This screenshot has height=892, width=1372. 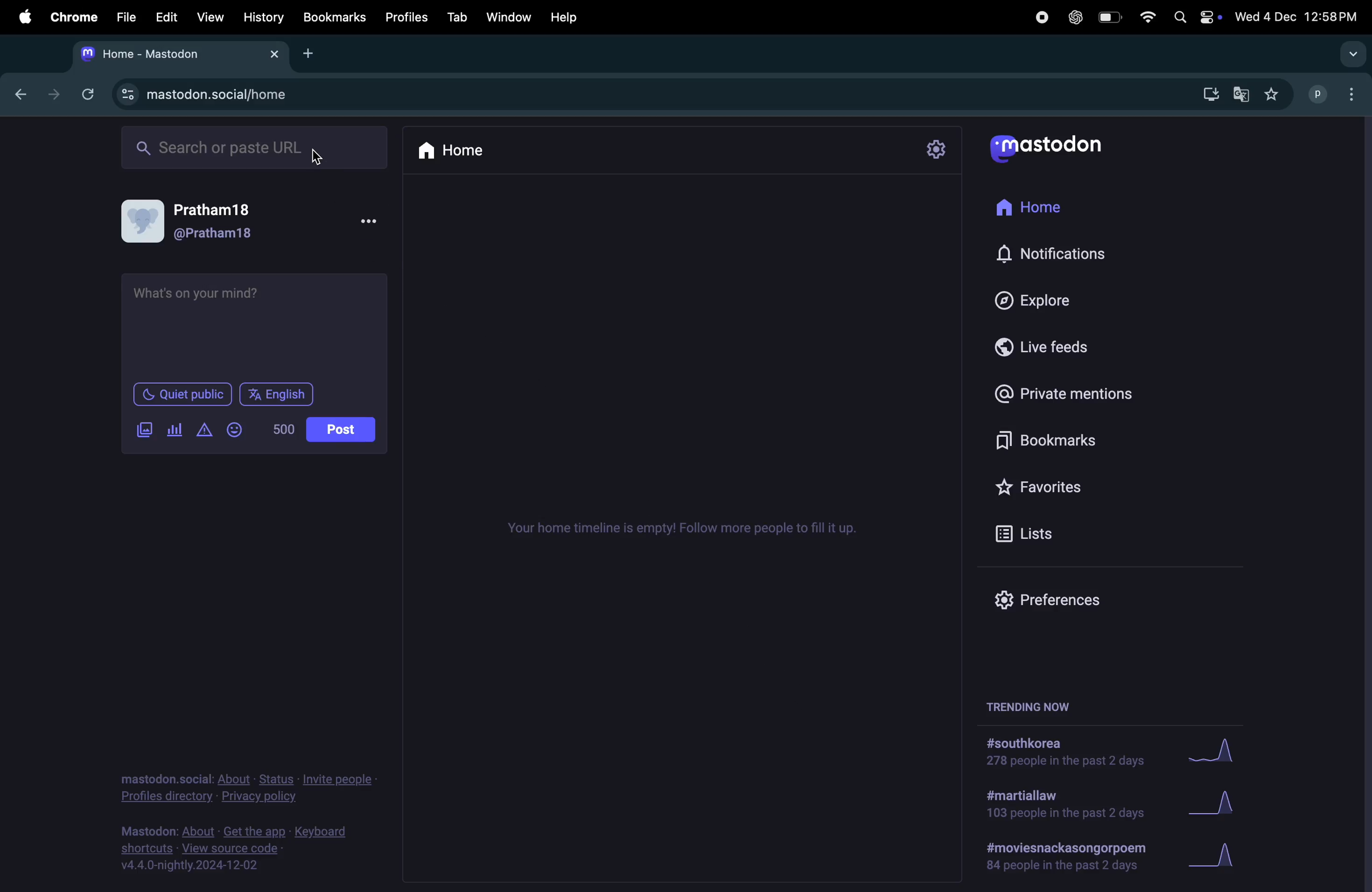 What do you see at coordinates (409, 17) in the screenshot?
I see `Profiles` at bounding box center [409, 17].